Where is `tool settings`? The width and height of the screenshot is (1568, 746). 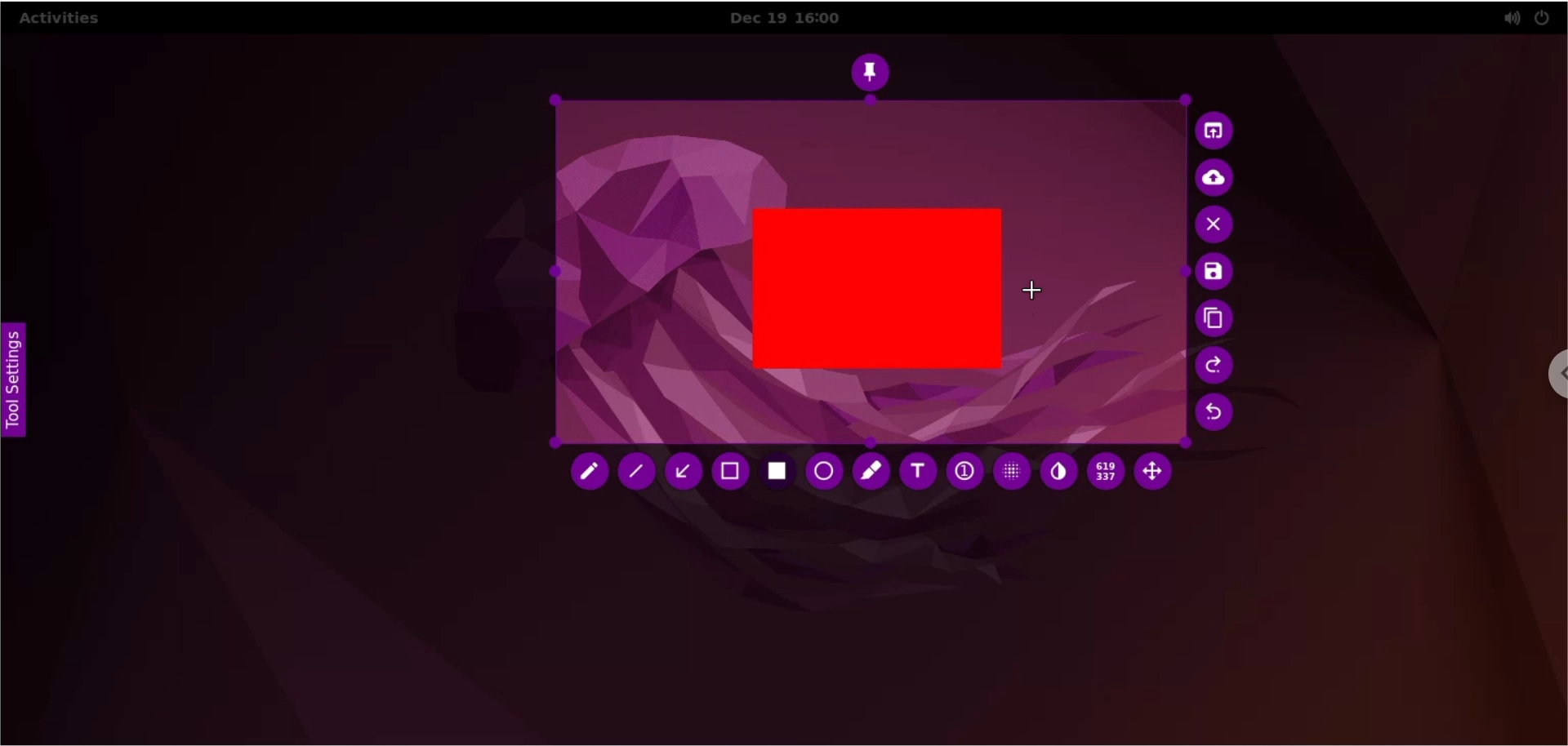 tool settings is located at coordinates (19, 380).